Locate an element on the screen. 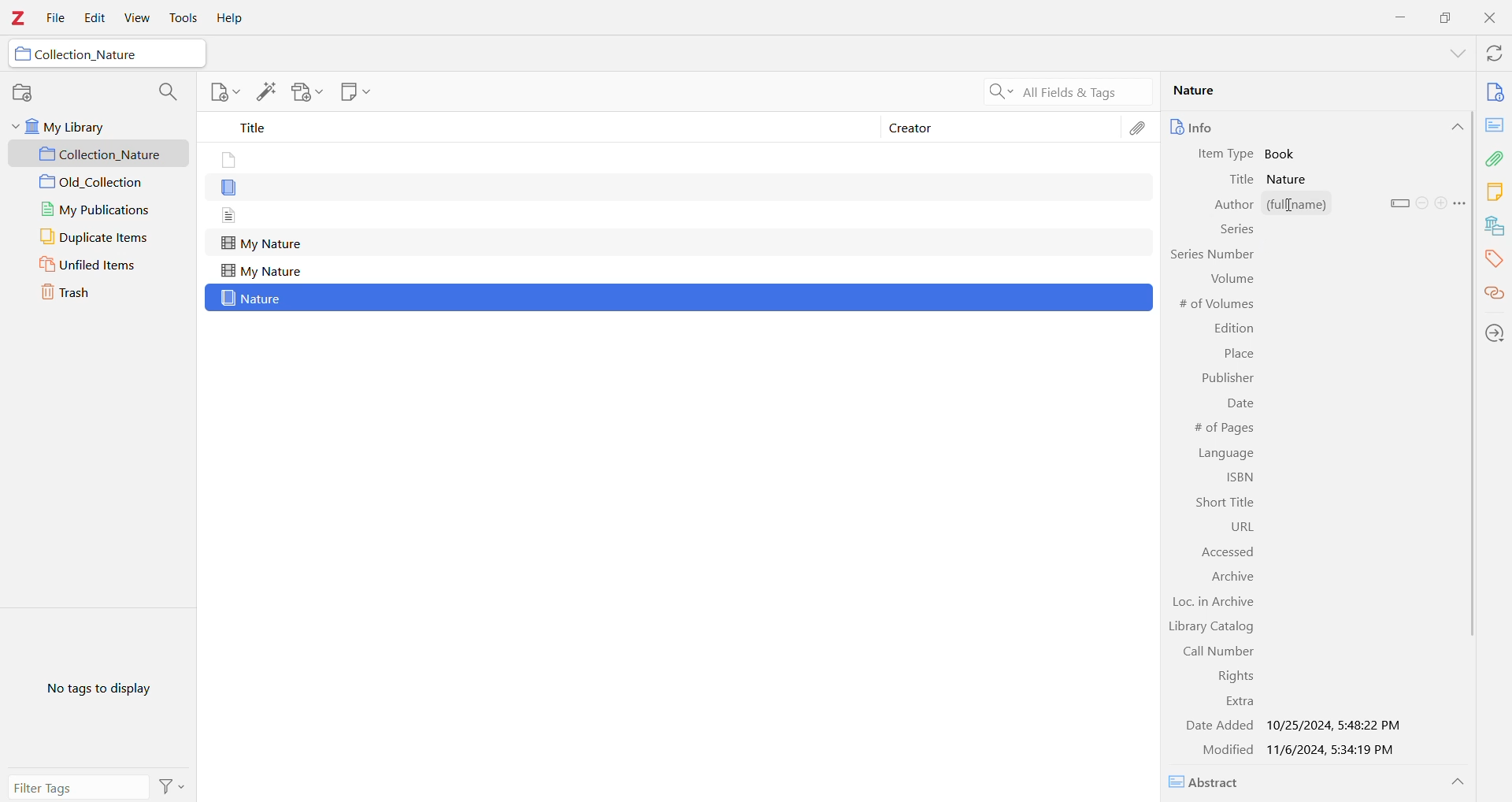  Place is located at coordinates (1238, 355).